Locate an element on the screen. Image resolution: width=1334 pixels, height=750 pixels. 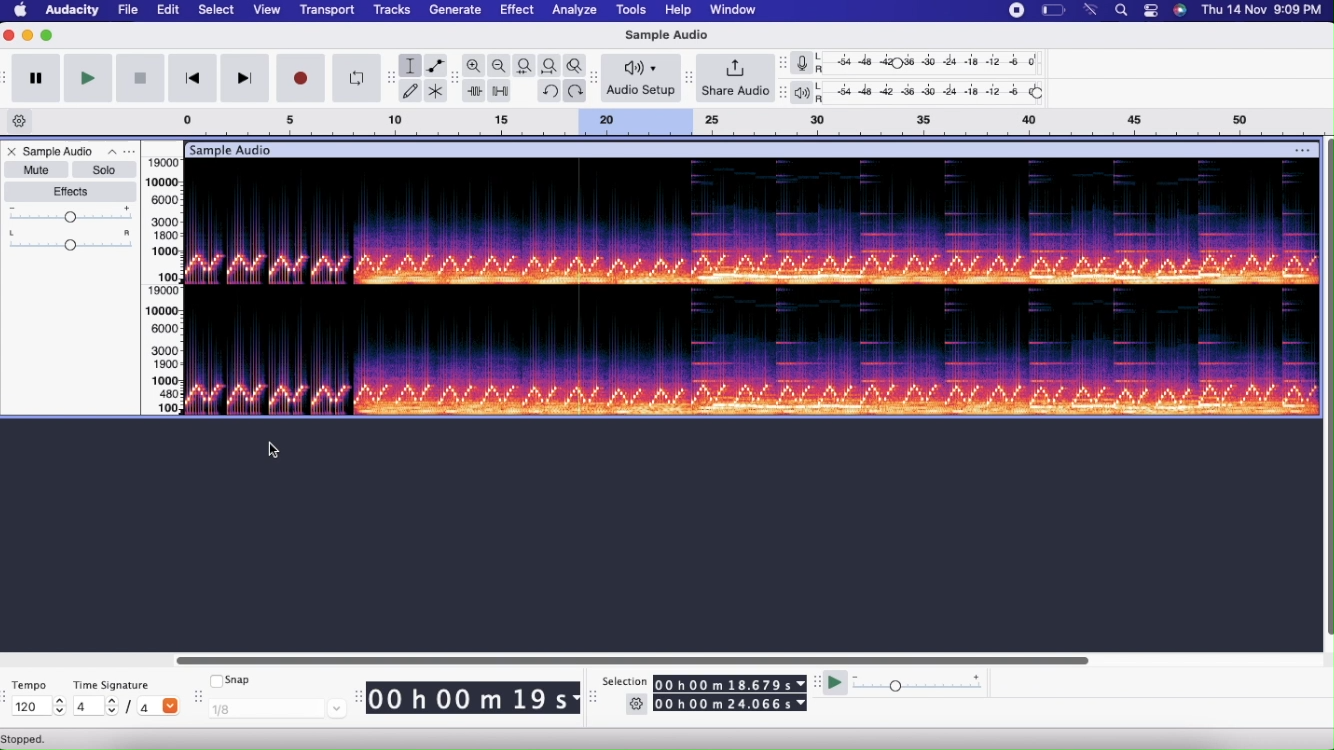
title is located at coordinates (231, 150).